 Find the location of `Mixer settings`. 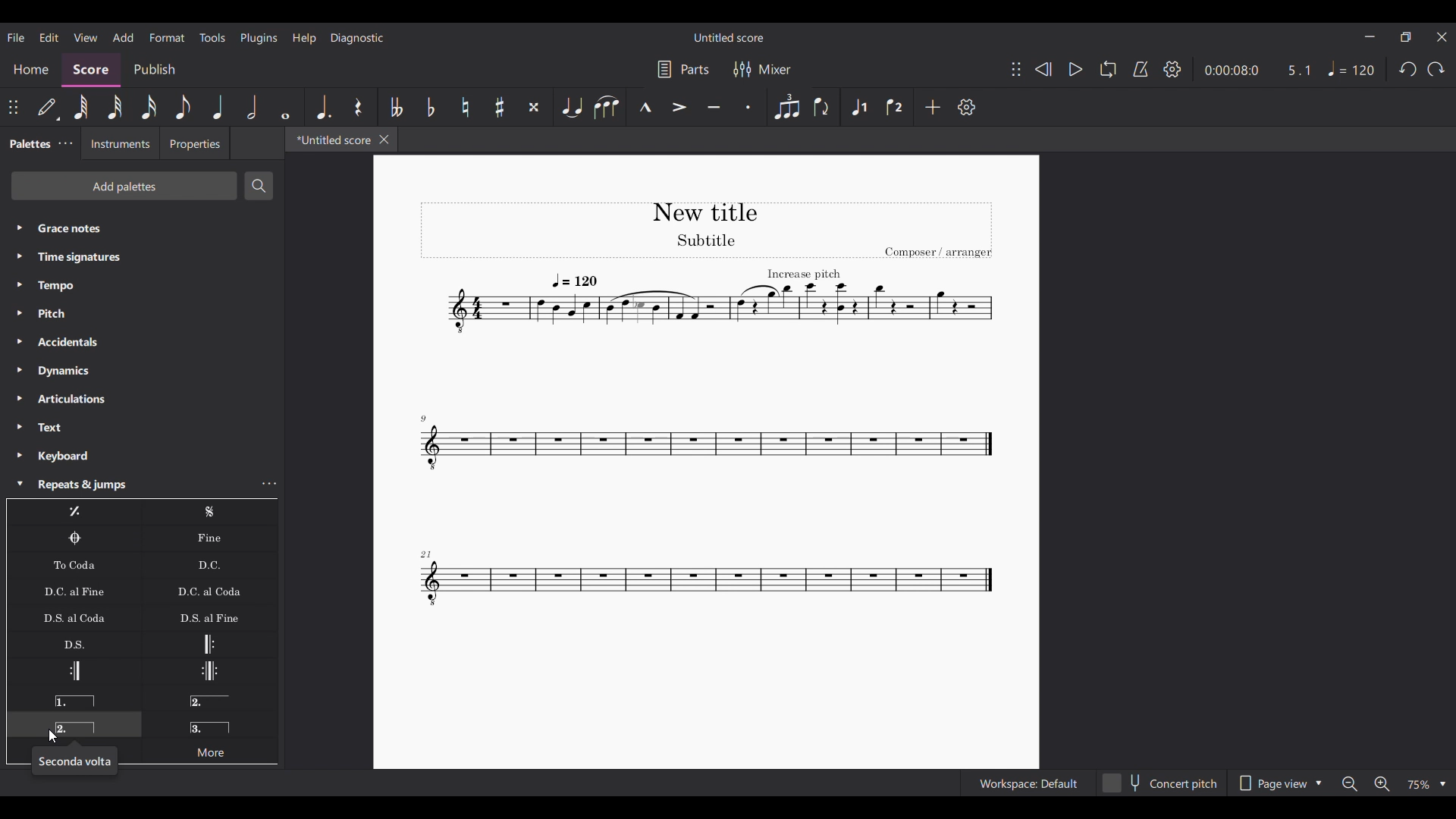

Mixer settings is located at coordinates (763, 69).